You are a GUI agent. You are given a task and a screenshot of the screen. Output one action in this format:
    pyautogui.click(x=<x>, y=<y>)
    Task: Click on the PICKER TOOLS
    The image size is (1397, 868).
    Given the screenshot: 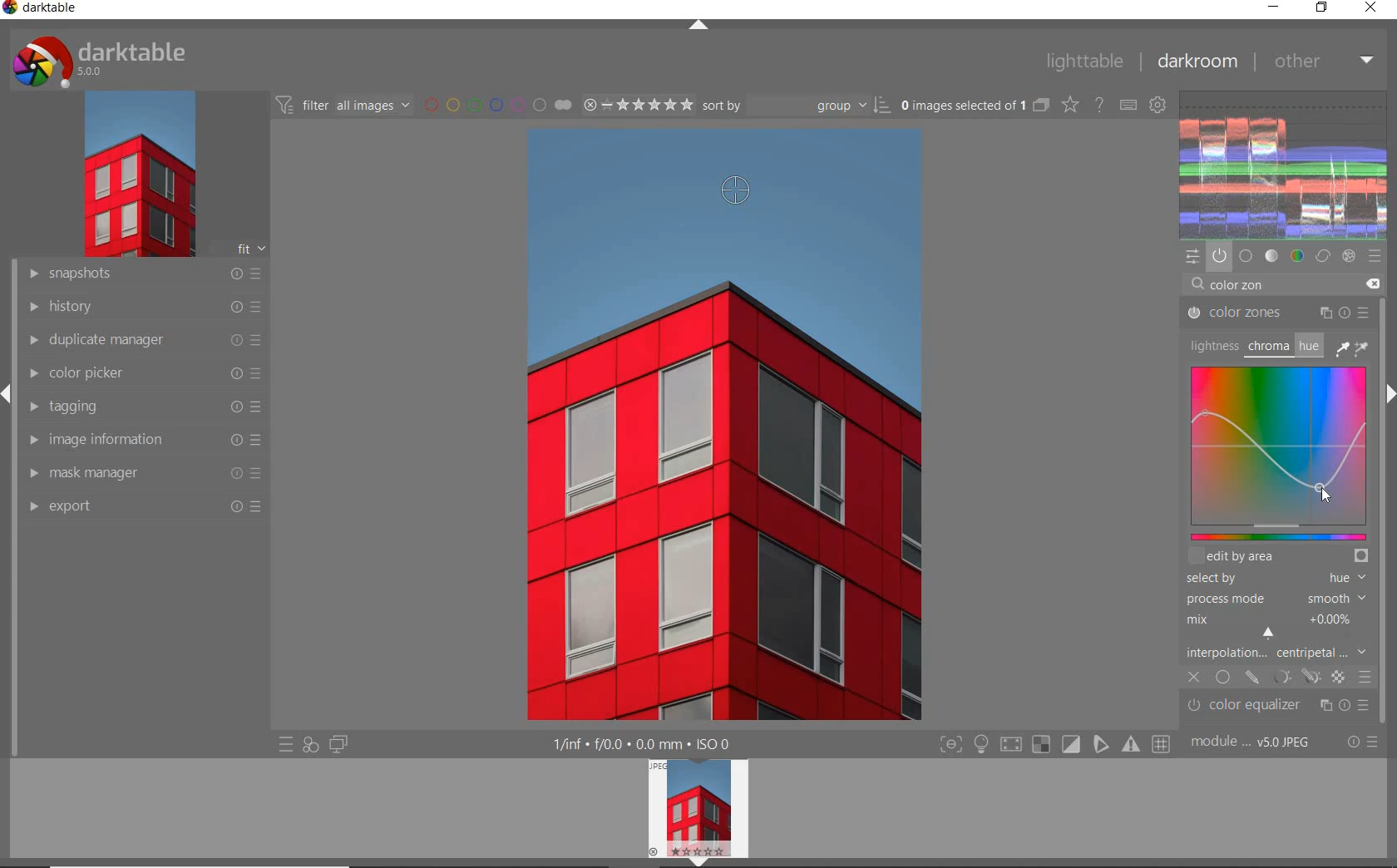 What is the action you would take?
    pyautogui.click(x=1354, y=348)
    